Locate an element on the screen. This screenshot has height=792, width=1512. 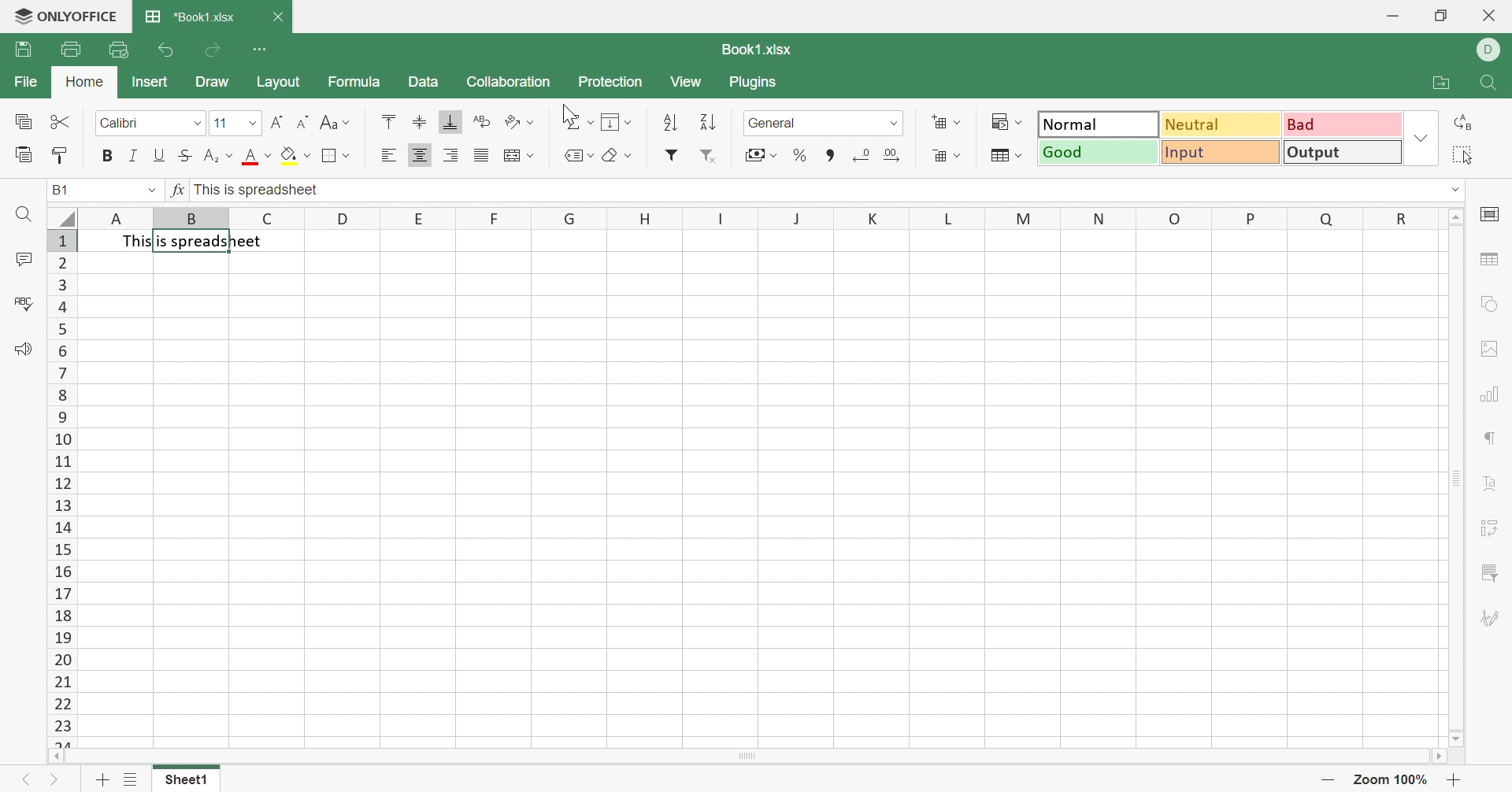
Customize Quick Access Toolbar is located at coordinates (262, 47).